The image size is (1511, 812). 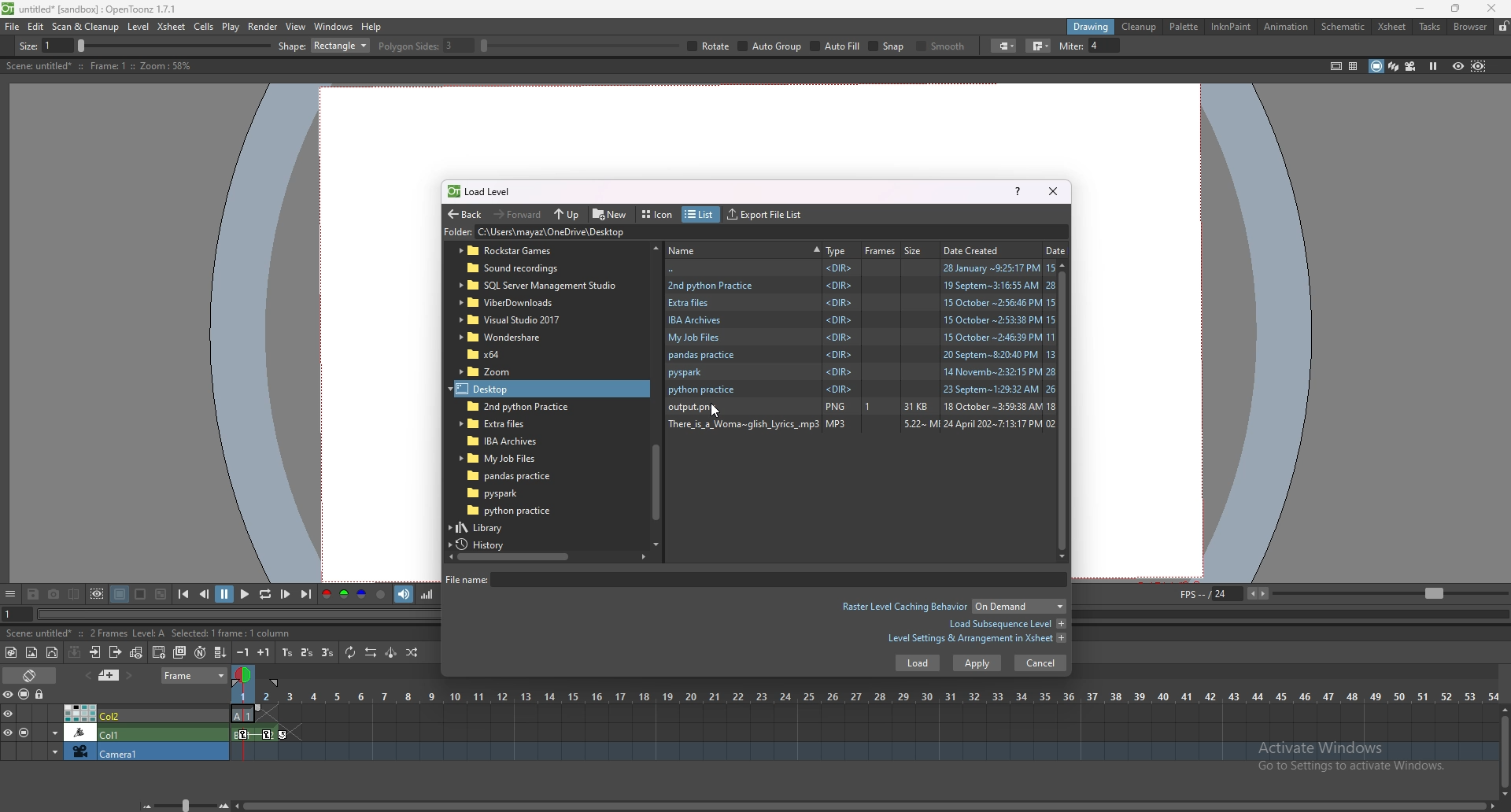 What do you see at coordinates (1505, 751) in the screenshot?
I see `scroll bar` at bounding box center [1505, 751].